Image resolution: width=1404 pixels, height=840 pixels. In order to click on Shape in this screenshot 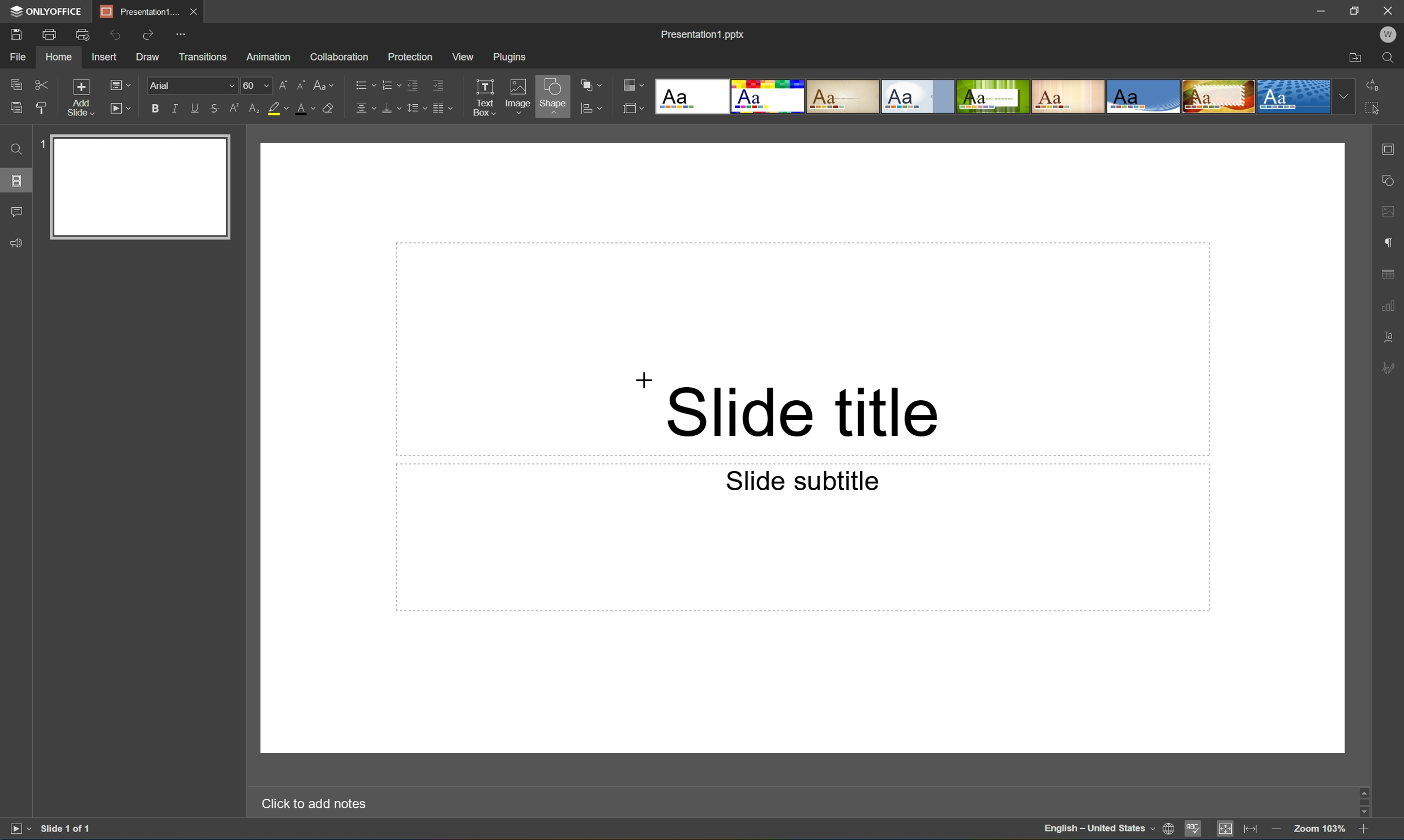, I will do `click(551, 97)`.